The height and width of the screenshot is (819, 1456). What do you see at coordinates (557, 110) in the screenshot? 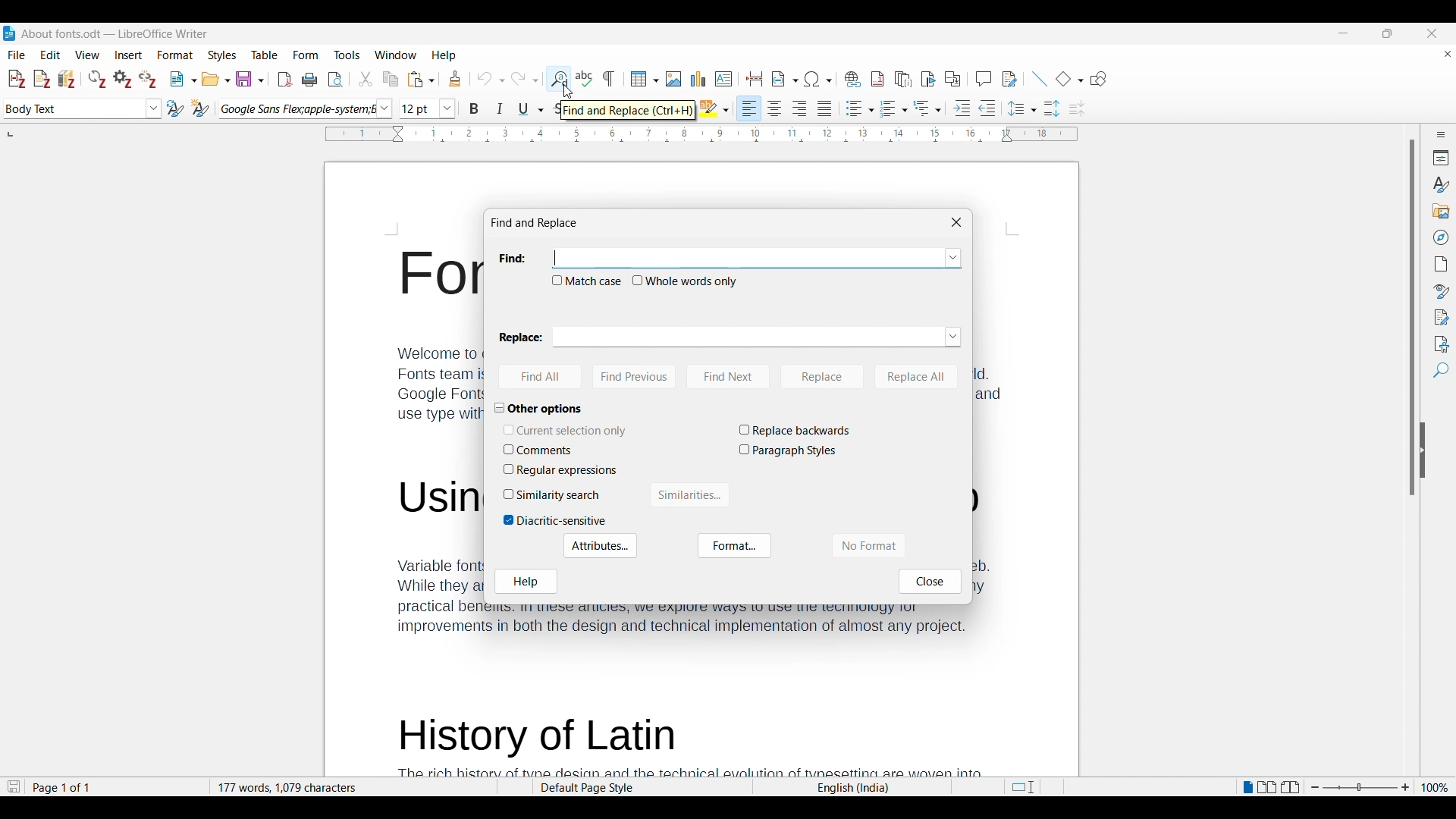
I see `Strikethrough` at bounding box center [557, 110].